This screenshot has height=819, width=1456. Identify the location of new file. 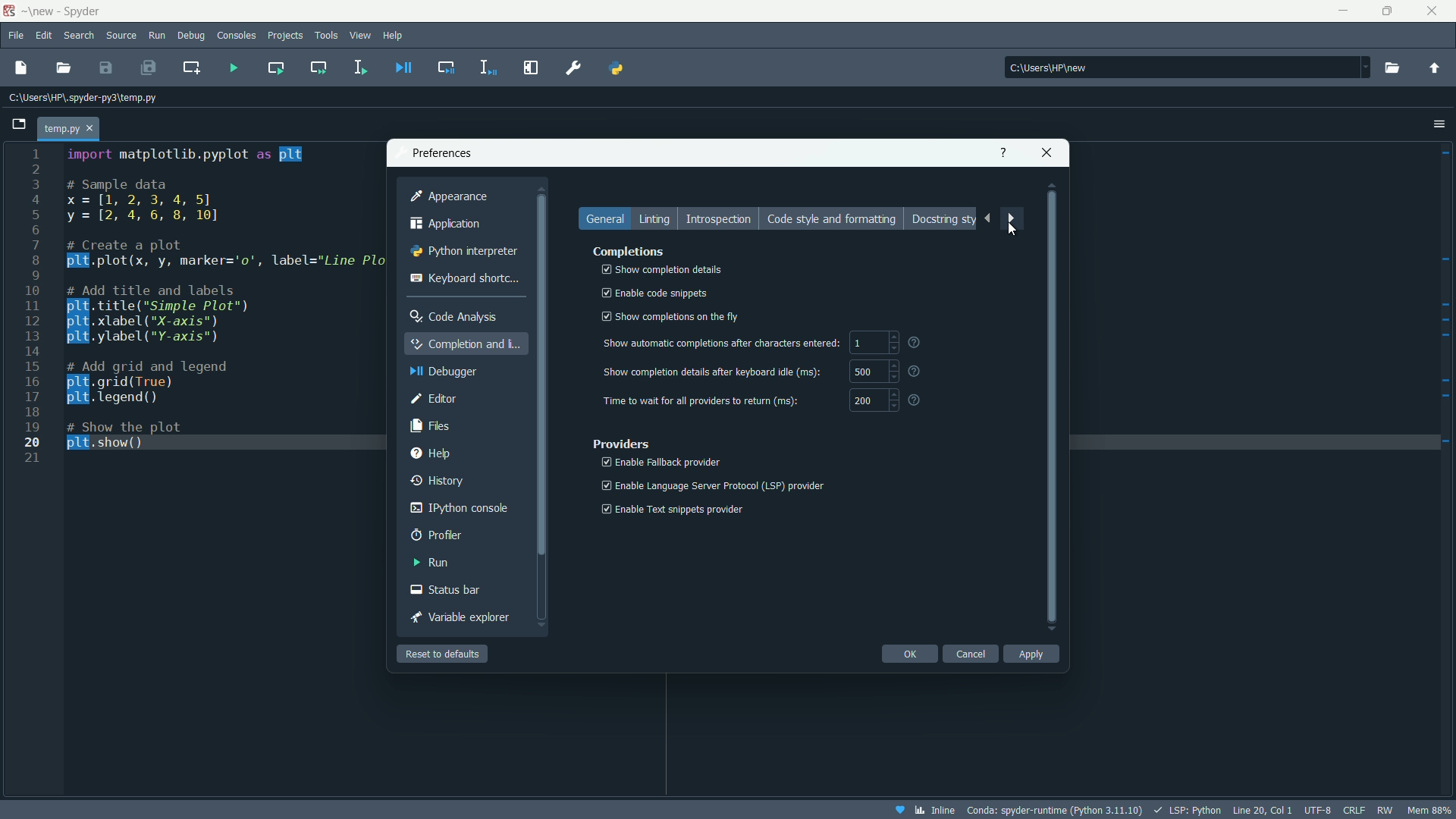
(20, 67).